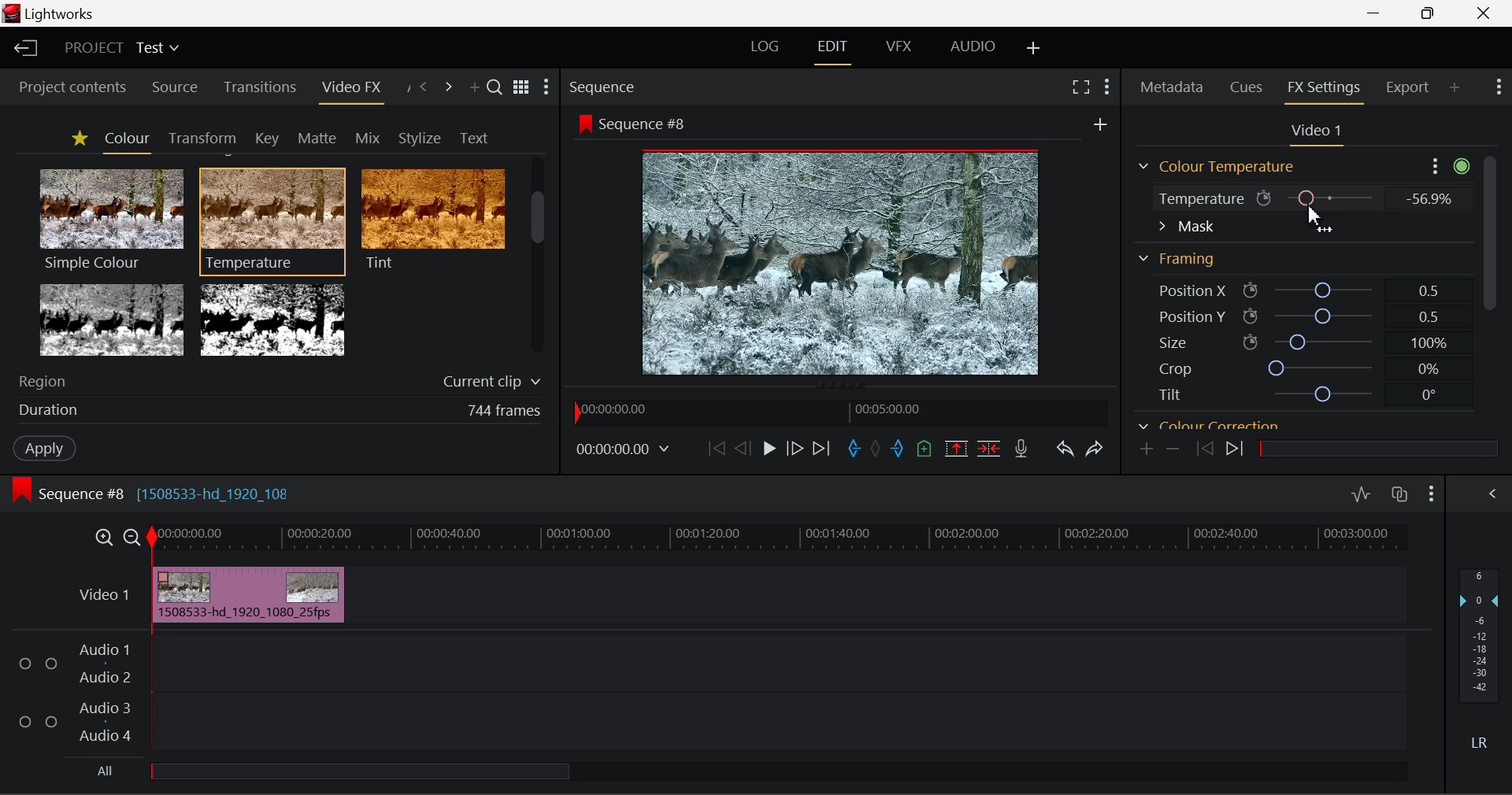 The width and height of the screenshot is (1512, 795). Describe the element at coordinates (77, 139) in the screenshot. I see `Favorites` at that location.